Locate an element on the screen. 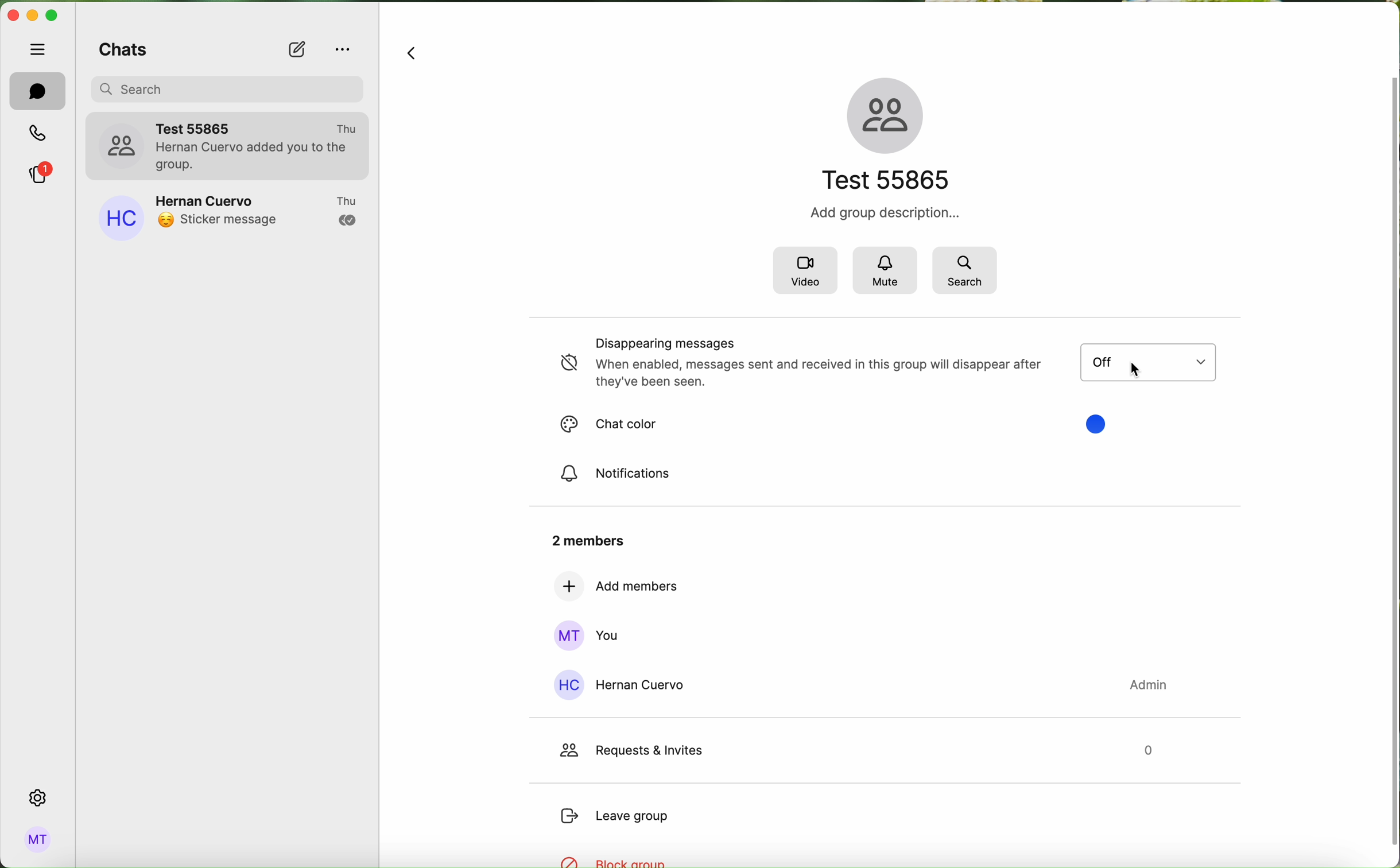 This screenshot has height=868, width=1400. 2 members is located at coordinates (585, 540).